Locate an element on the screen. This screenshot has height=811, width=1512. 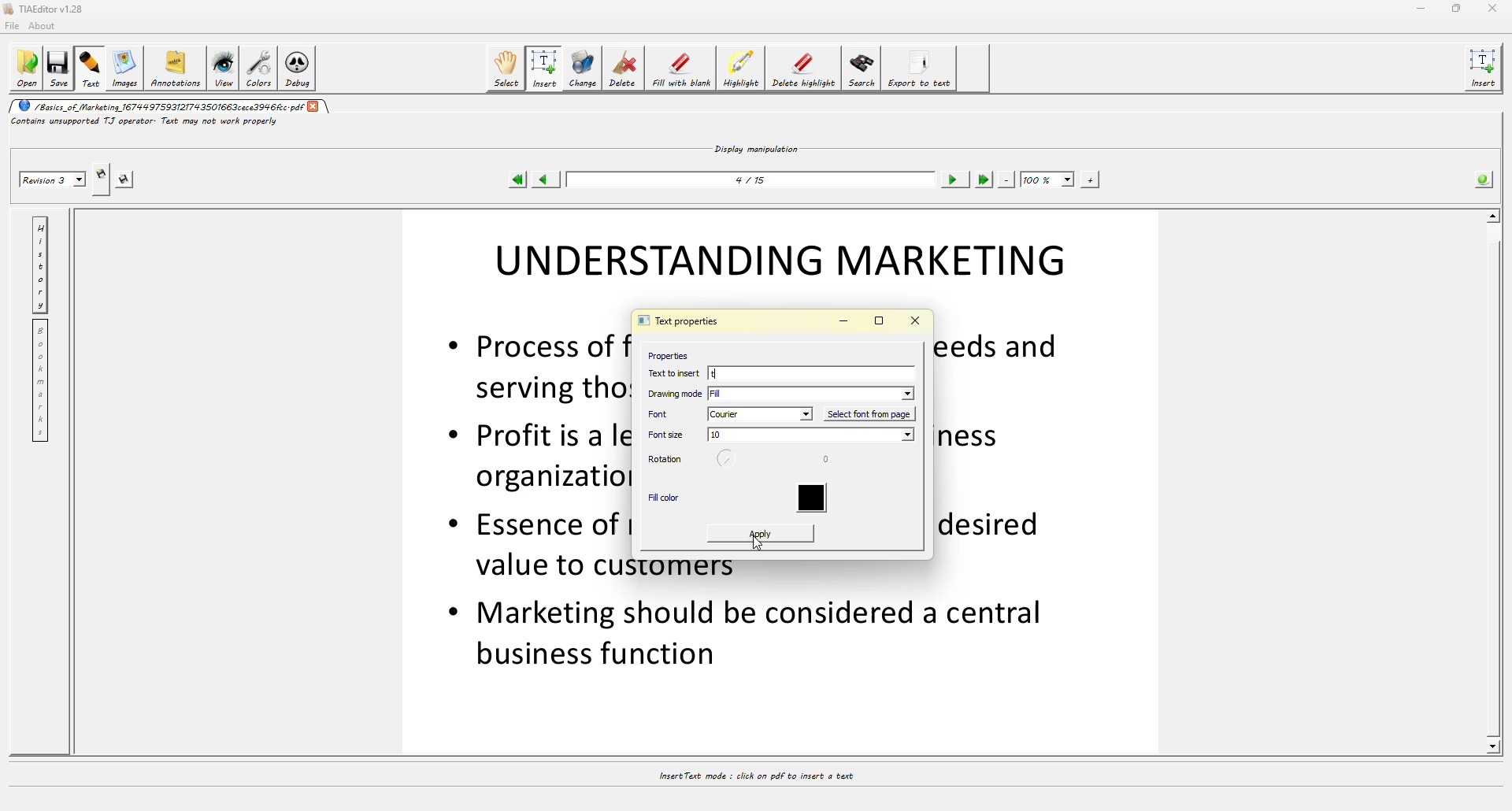
close is located at coordinates (1492, 8).